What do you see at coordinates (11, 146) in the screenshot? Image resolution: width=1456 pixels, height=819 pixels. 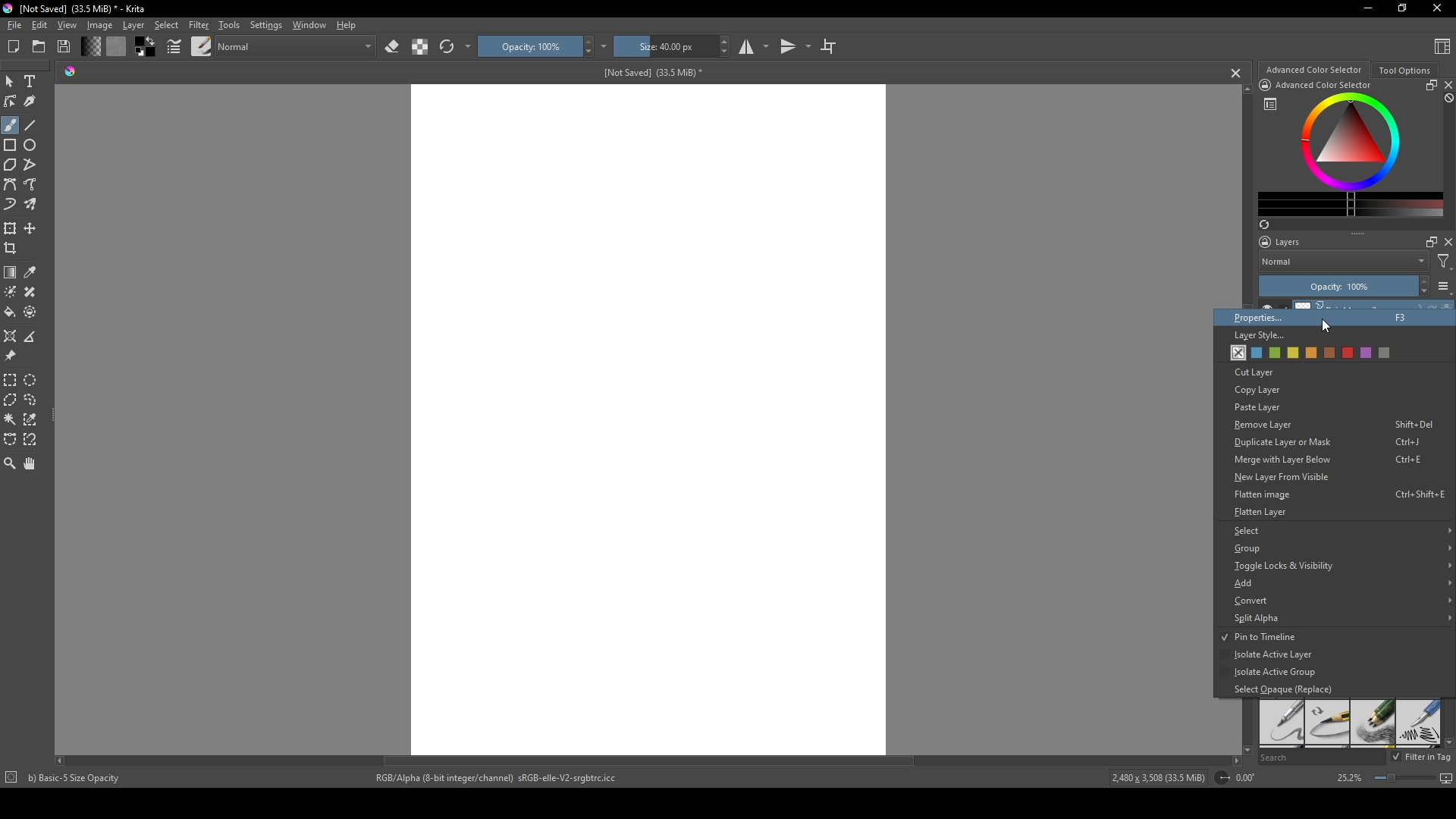 I see `rectangle` at bounding box center [11, 146].